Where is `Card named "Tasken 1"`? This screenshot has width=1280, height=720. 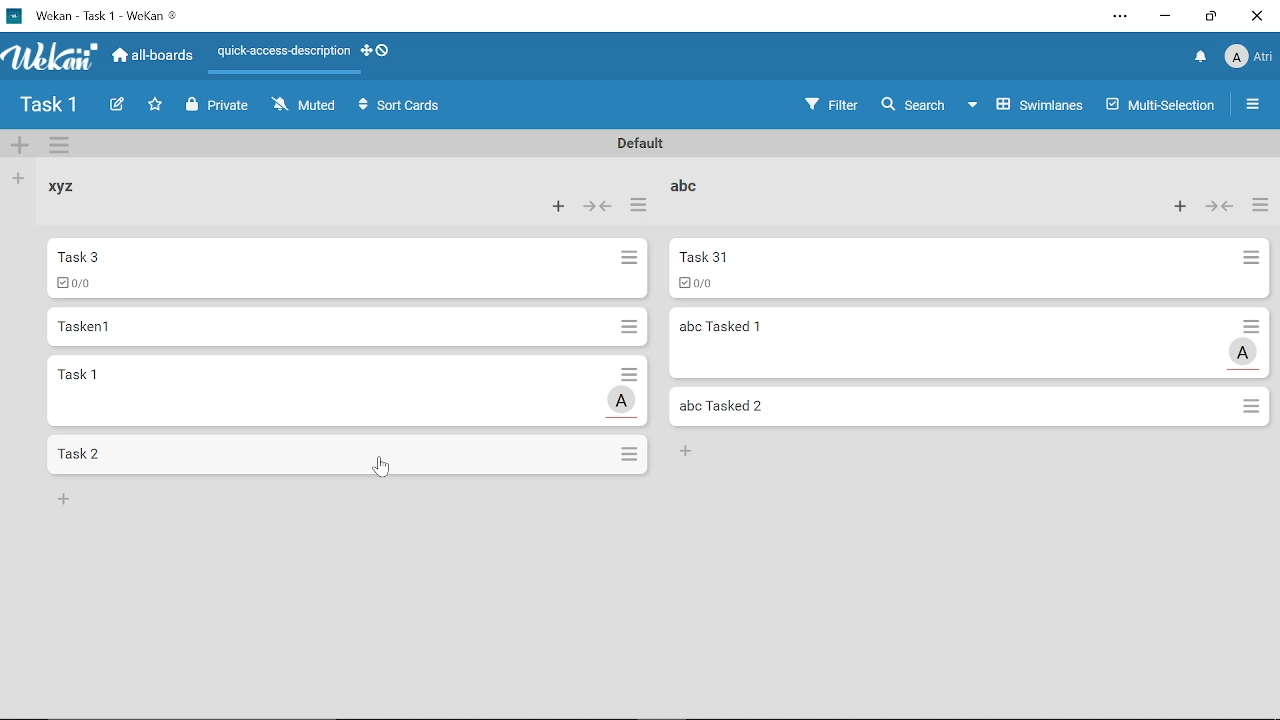 Card named "Tasken 1" is located at coordinates (326, 326).